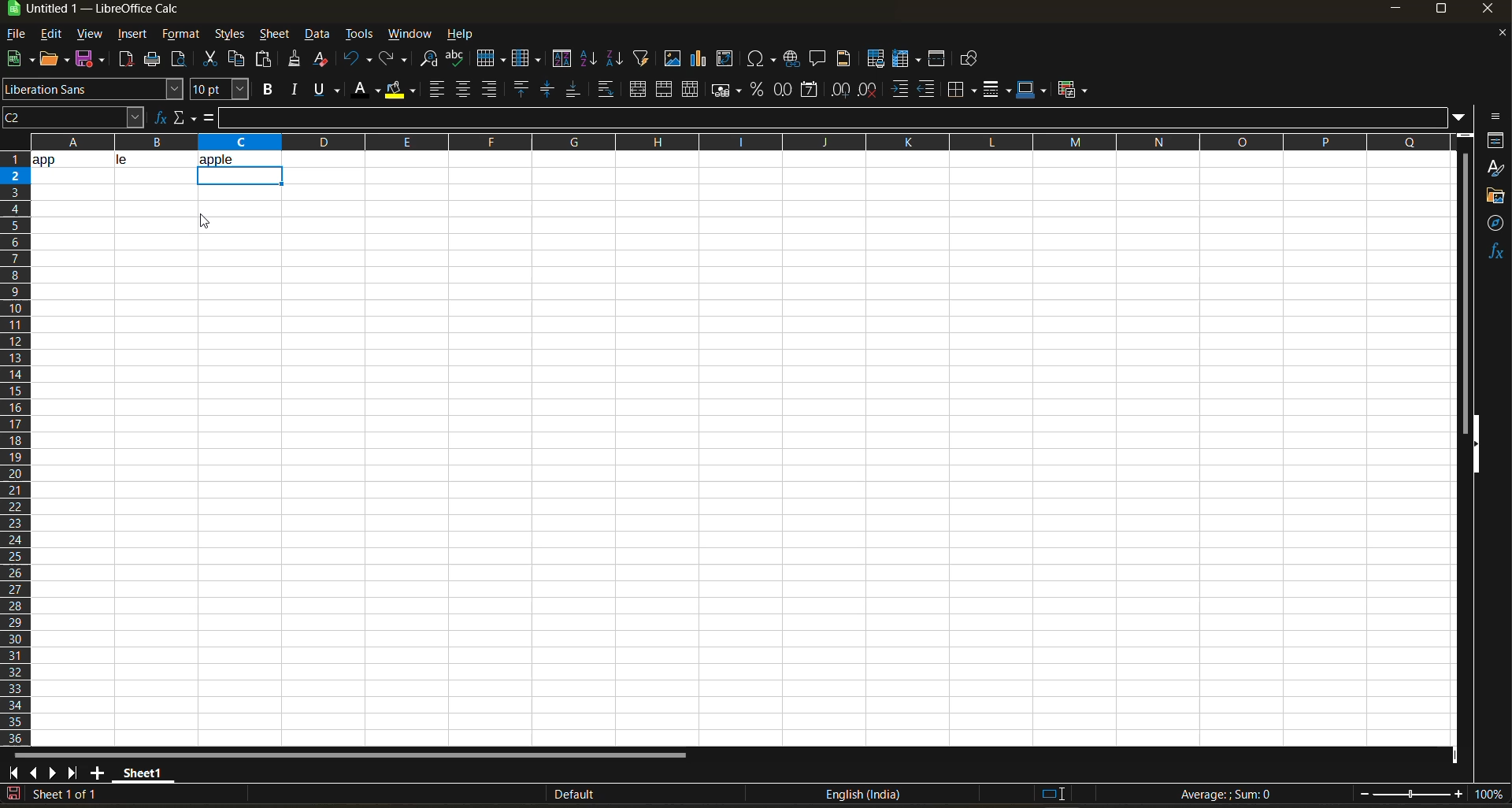  I want to click on concatenated text, so click(232, 156).